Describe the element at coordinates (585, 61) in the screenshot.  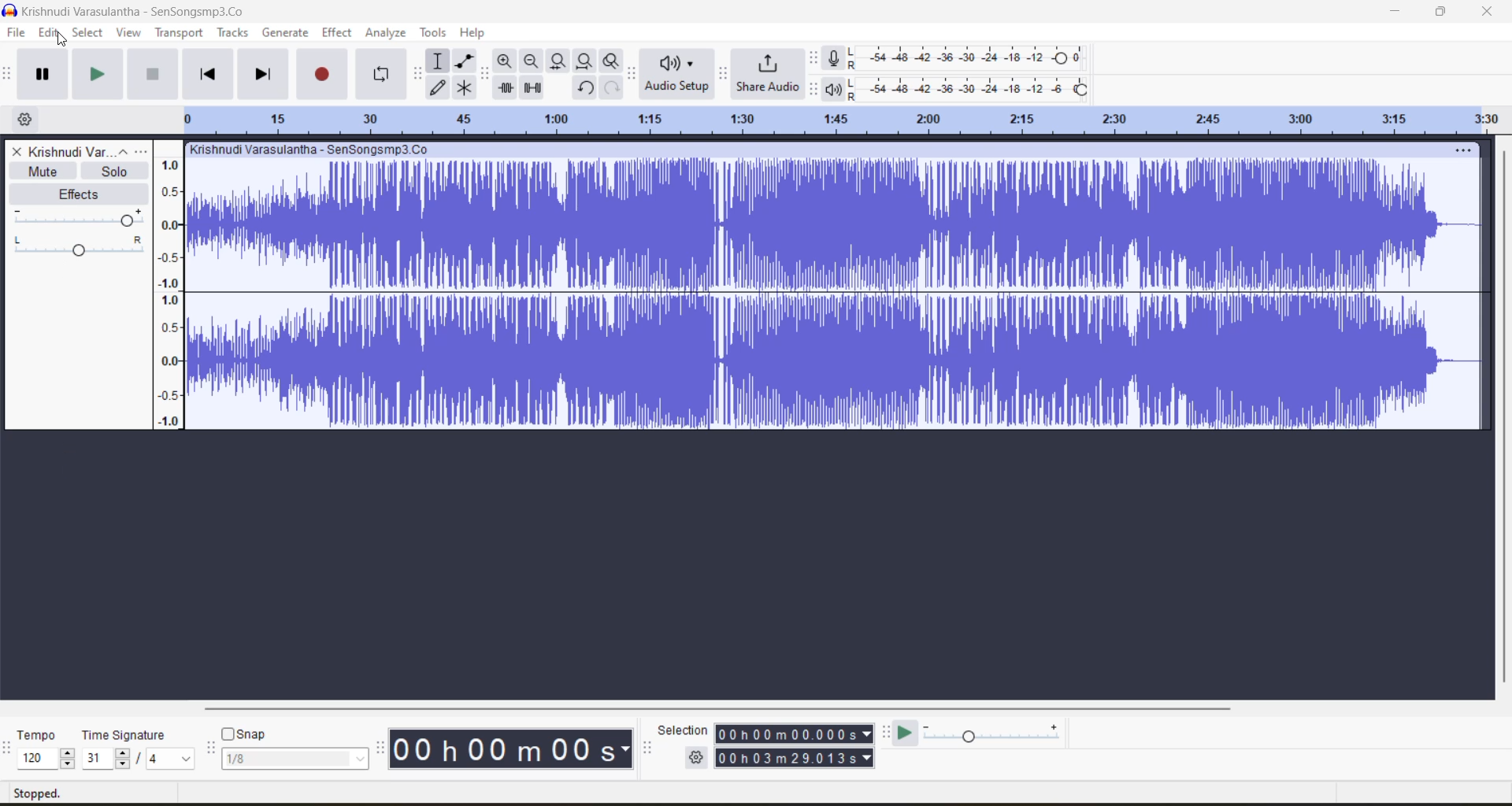
I see `fit project to width` at that location.